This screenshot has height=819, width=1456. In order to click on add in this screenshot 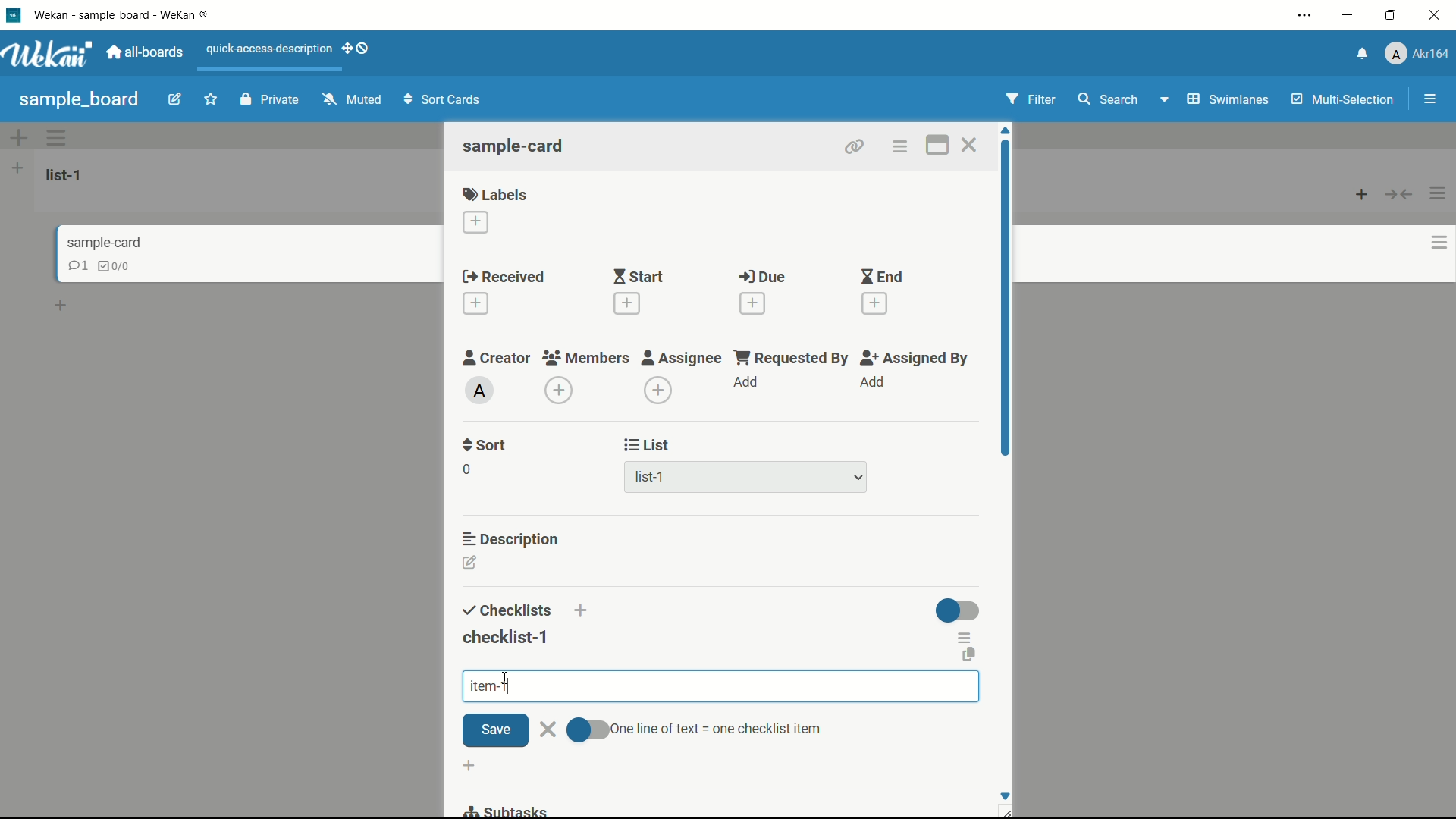, I will do `click(343, 48)`.